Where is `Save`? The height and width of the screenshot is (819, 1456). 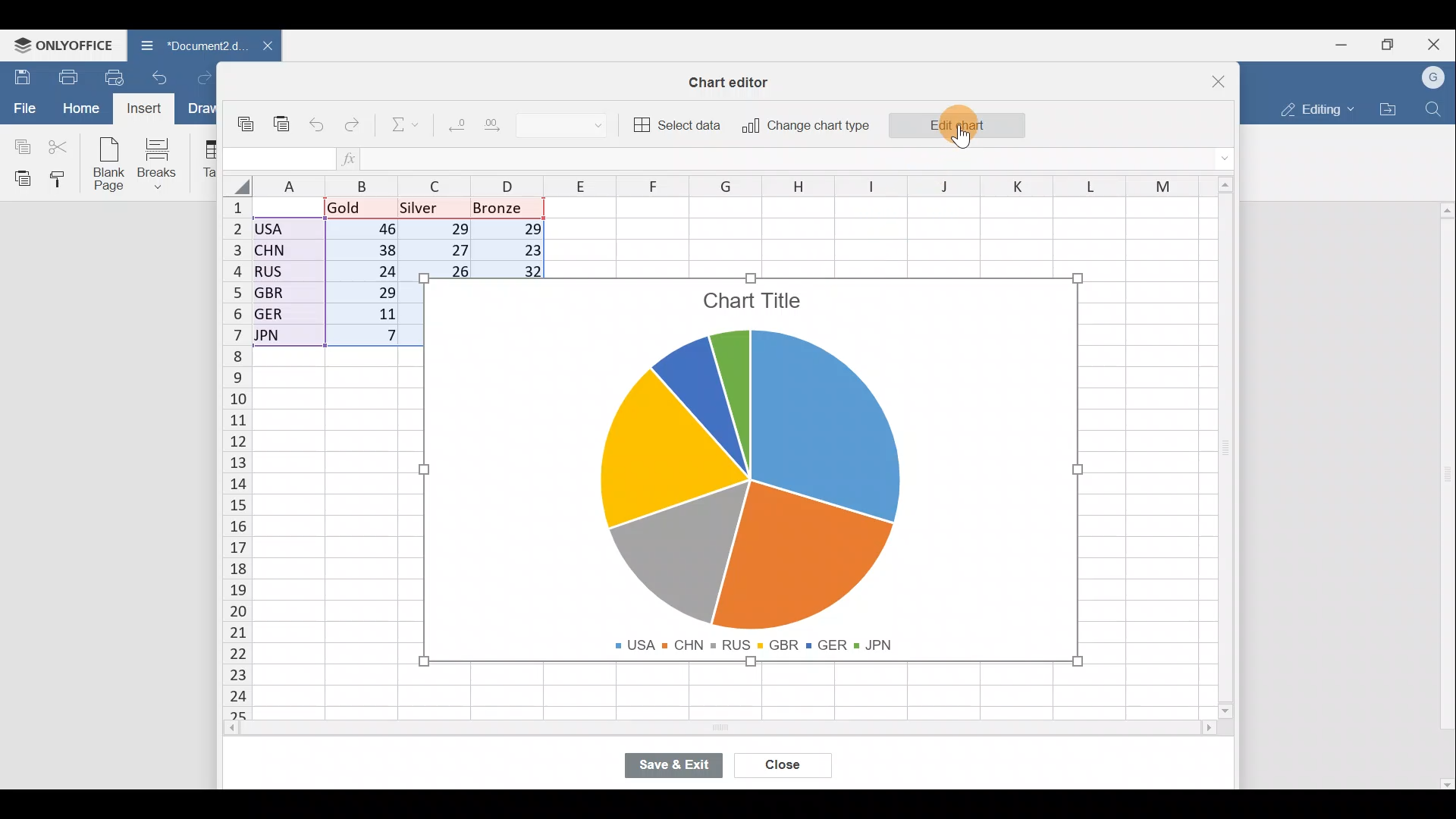
Save is located at coordinates (19, 77).